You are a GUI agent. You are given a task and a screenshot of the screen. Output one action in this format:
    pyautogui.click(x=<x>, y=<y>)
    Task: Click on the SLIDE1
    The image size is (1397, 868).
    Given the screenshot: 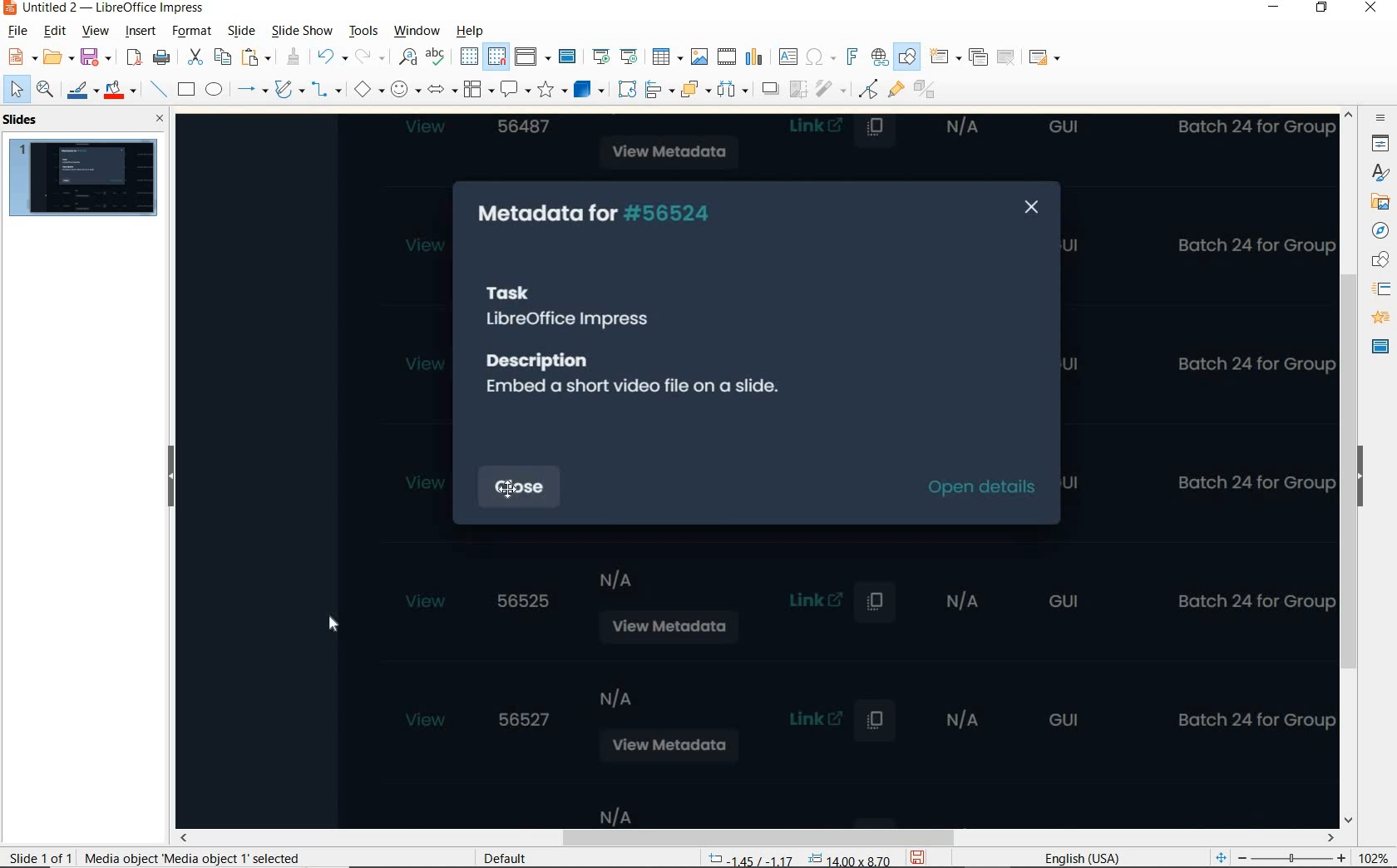 What is the action you would take?
    pyautogui.click(x=84, y=177)
    